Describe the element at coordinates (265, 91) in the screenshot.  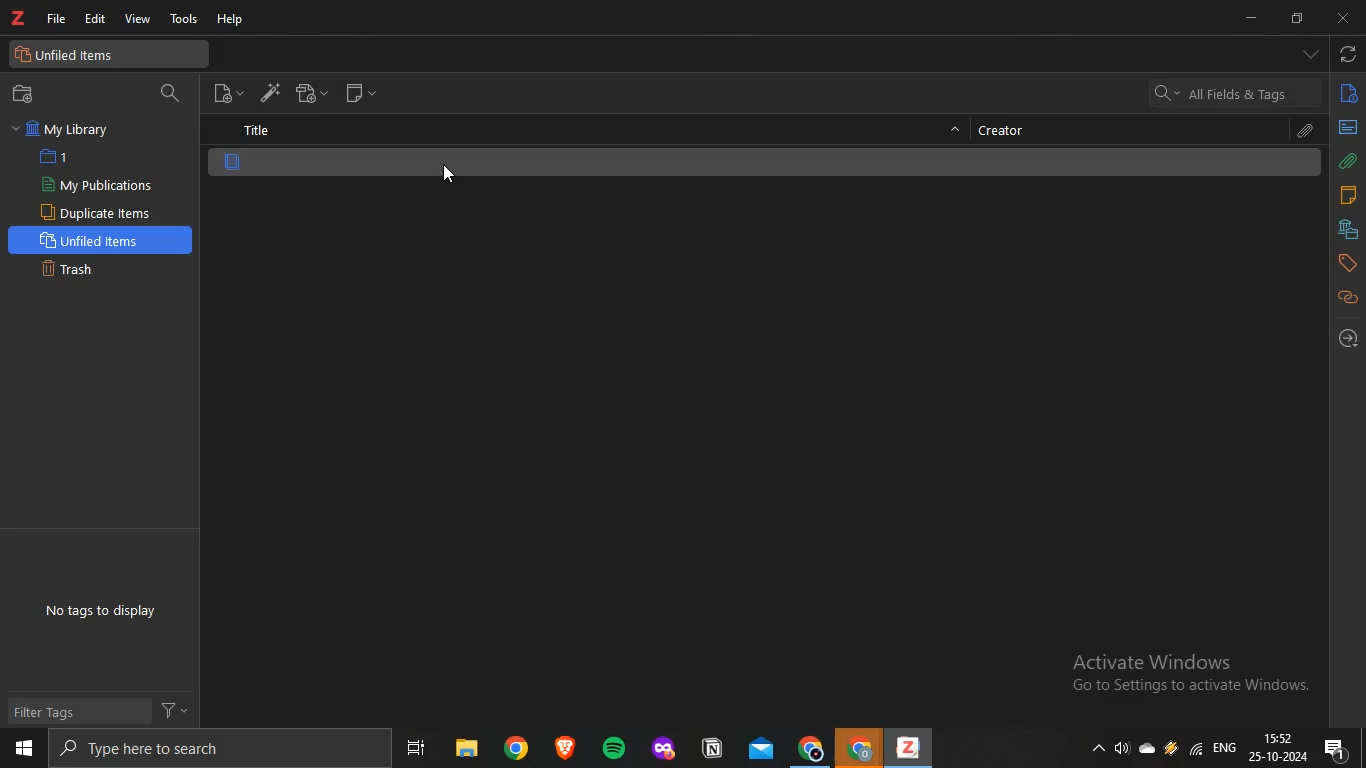
I see `add item by identifier` at that location.